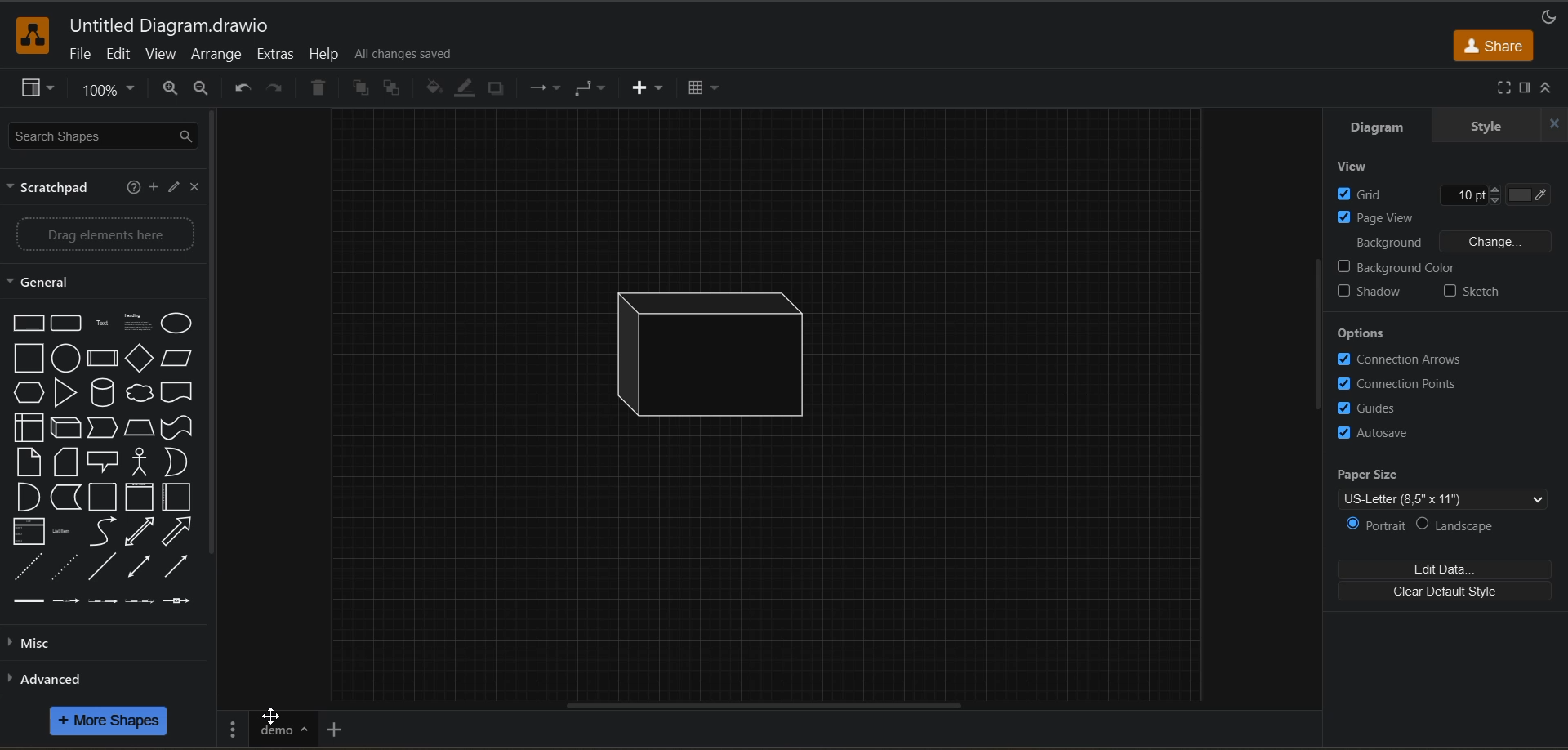 Image resolution: width=1568 pixels, height=750 pixels. I want to click on insert page, so click(339, 731).